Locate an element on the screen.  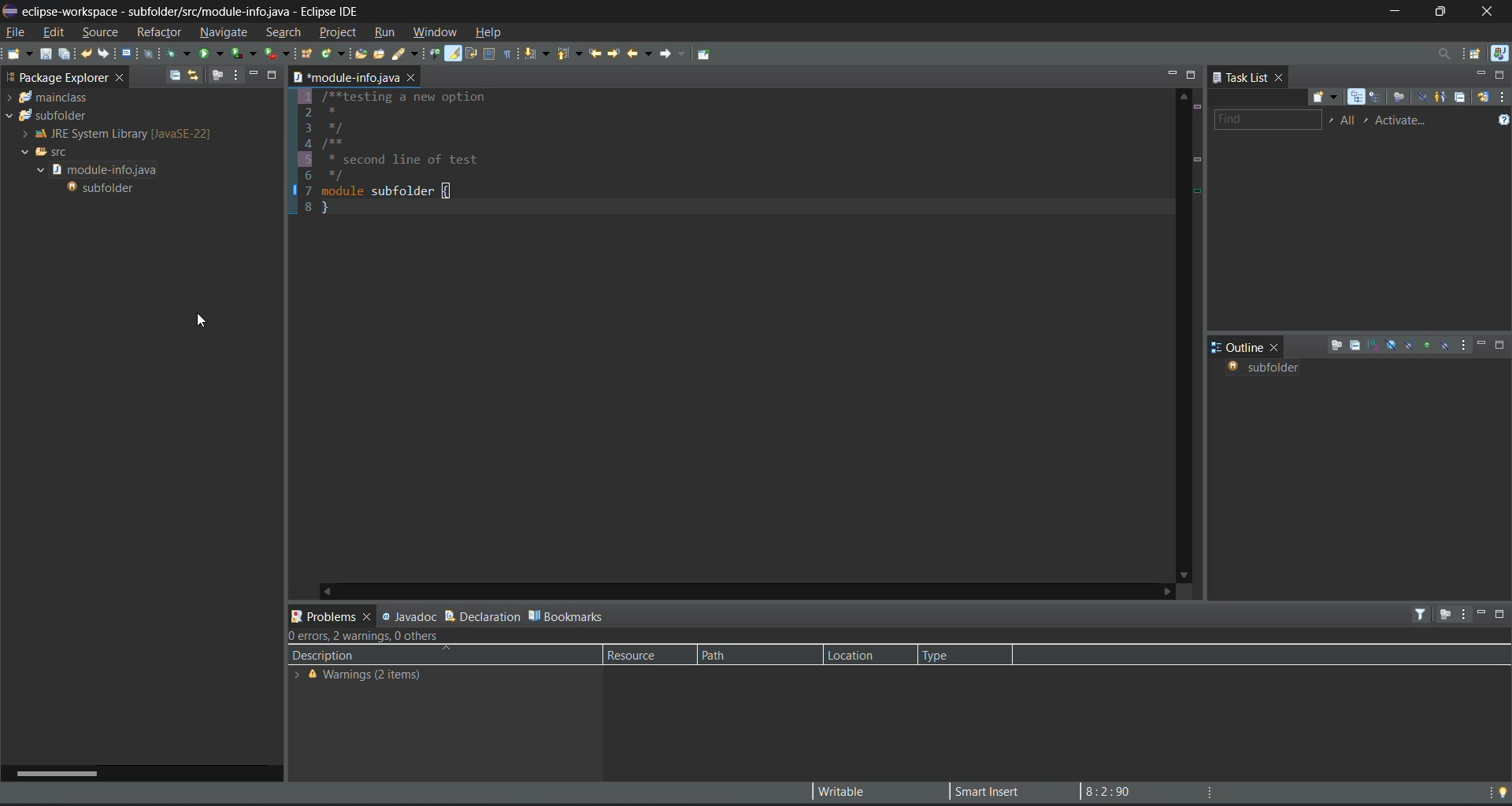
source is located at coordinates (99, 32).